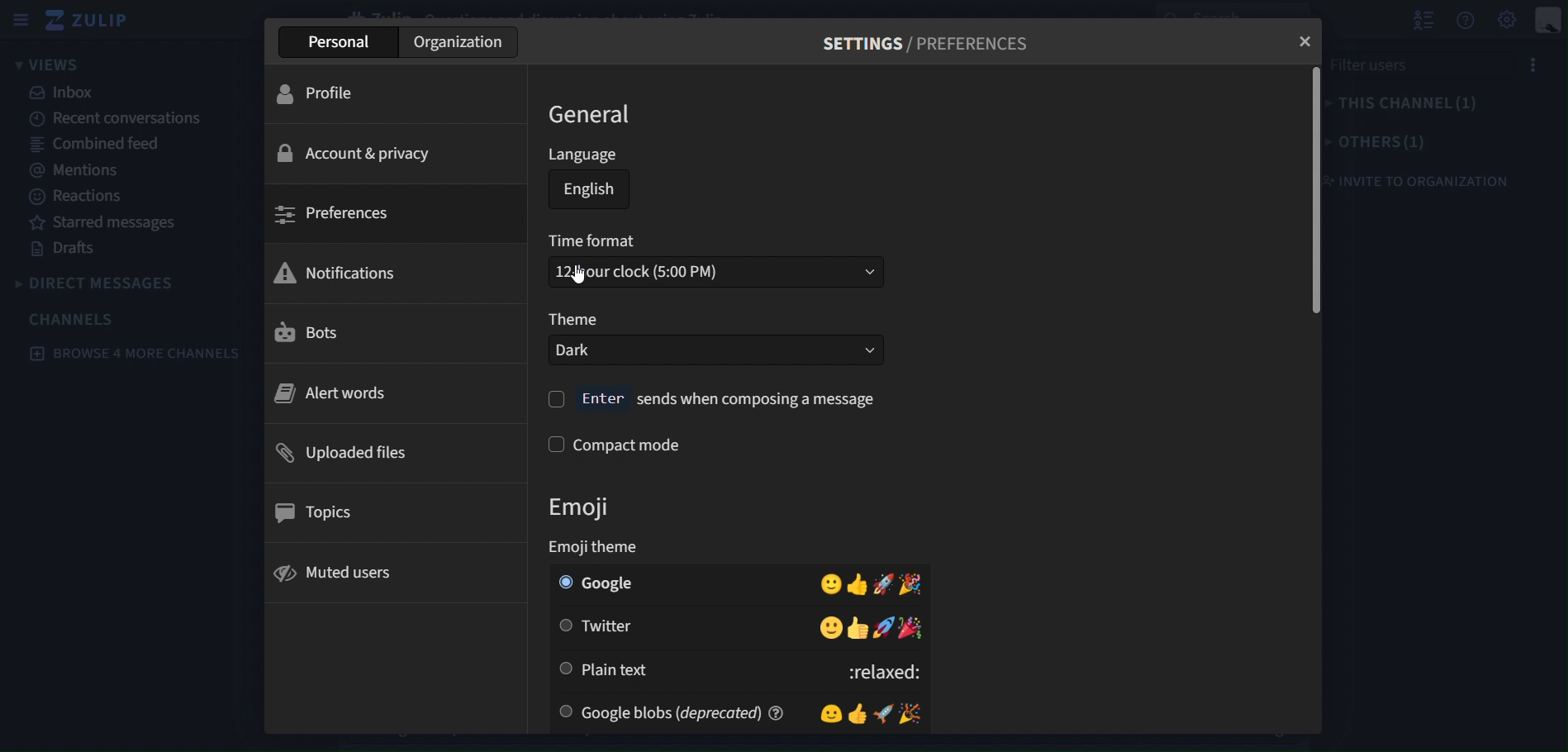 The image size is (1568, 752). I want to click on check box, so click(556, 400).